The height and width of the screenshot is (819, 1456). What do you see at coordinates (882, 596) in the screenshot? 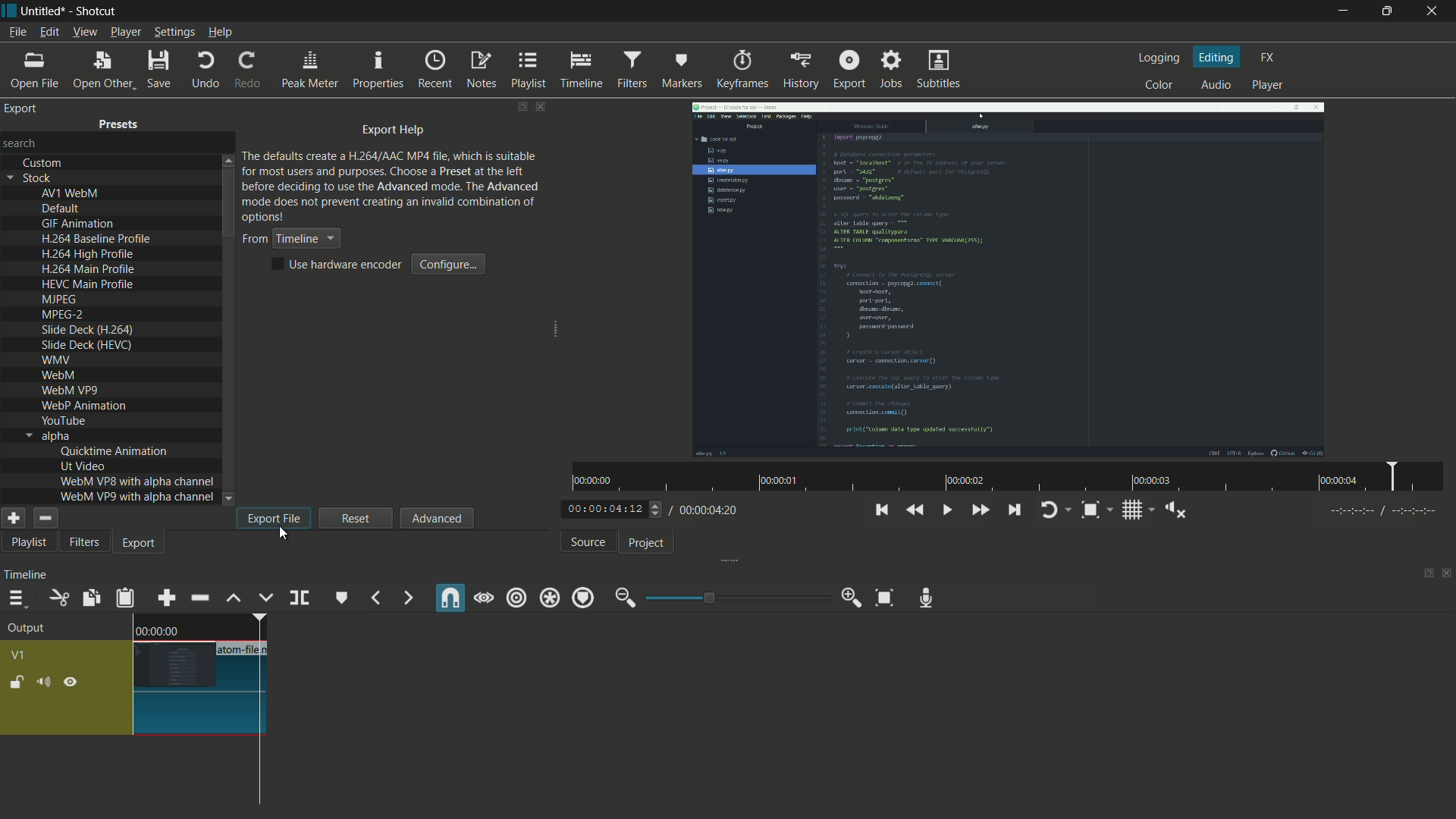
I see `zoom timeline to fit` at bounding box center [882, 596].